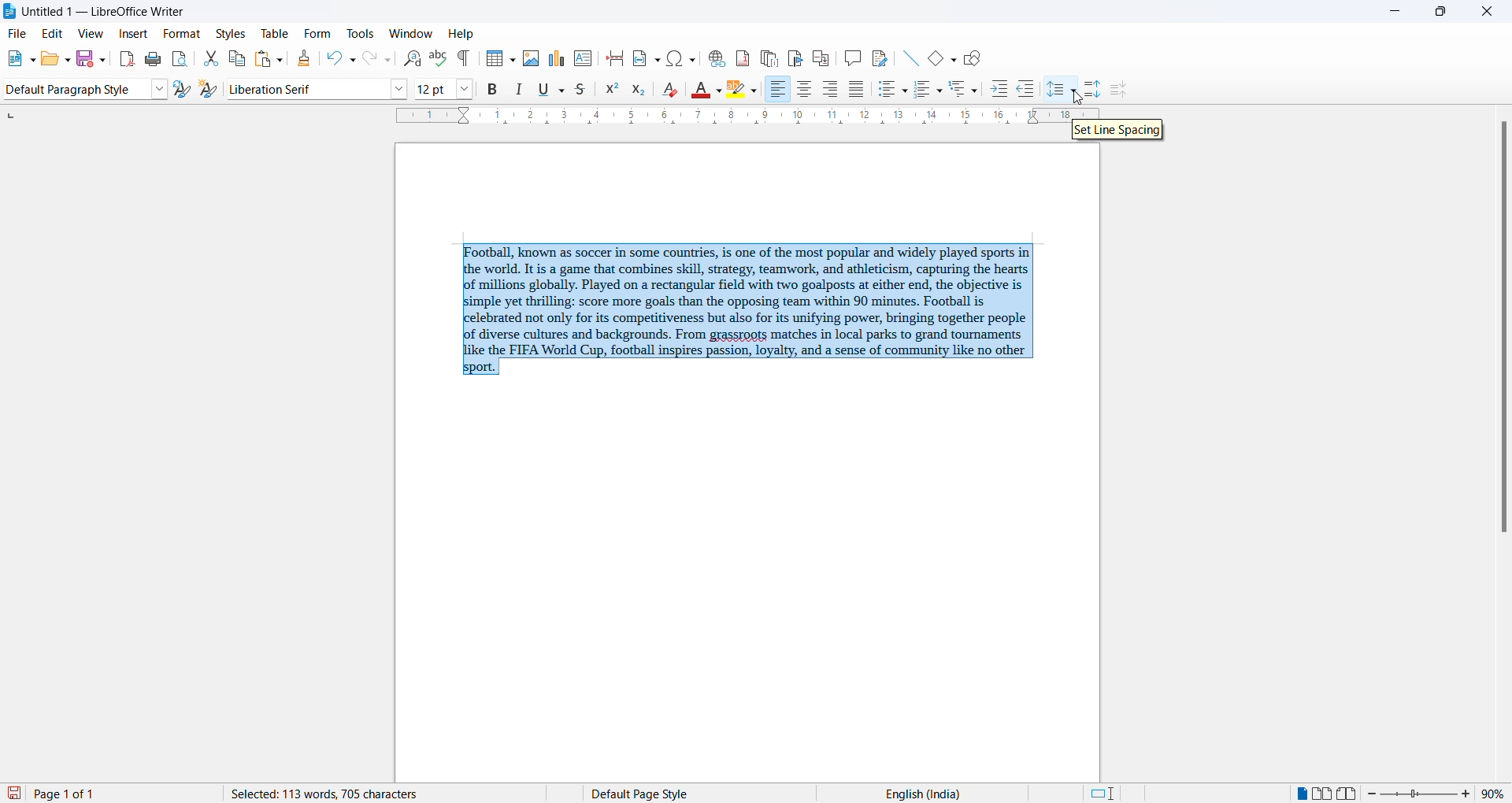 The height and width of the screenshot is (803, 1512). I want to click on text align center, so click(805, 90).